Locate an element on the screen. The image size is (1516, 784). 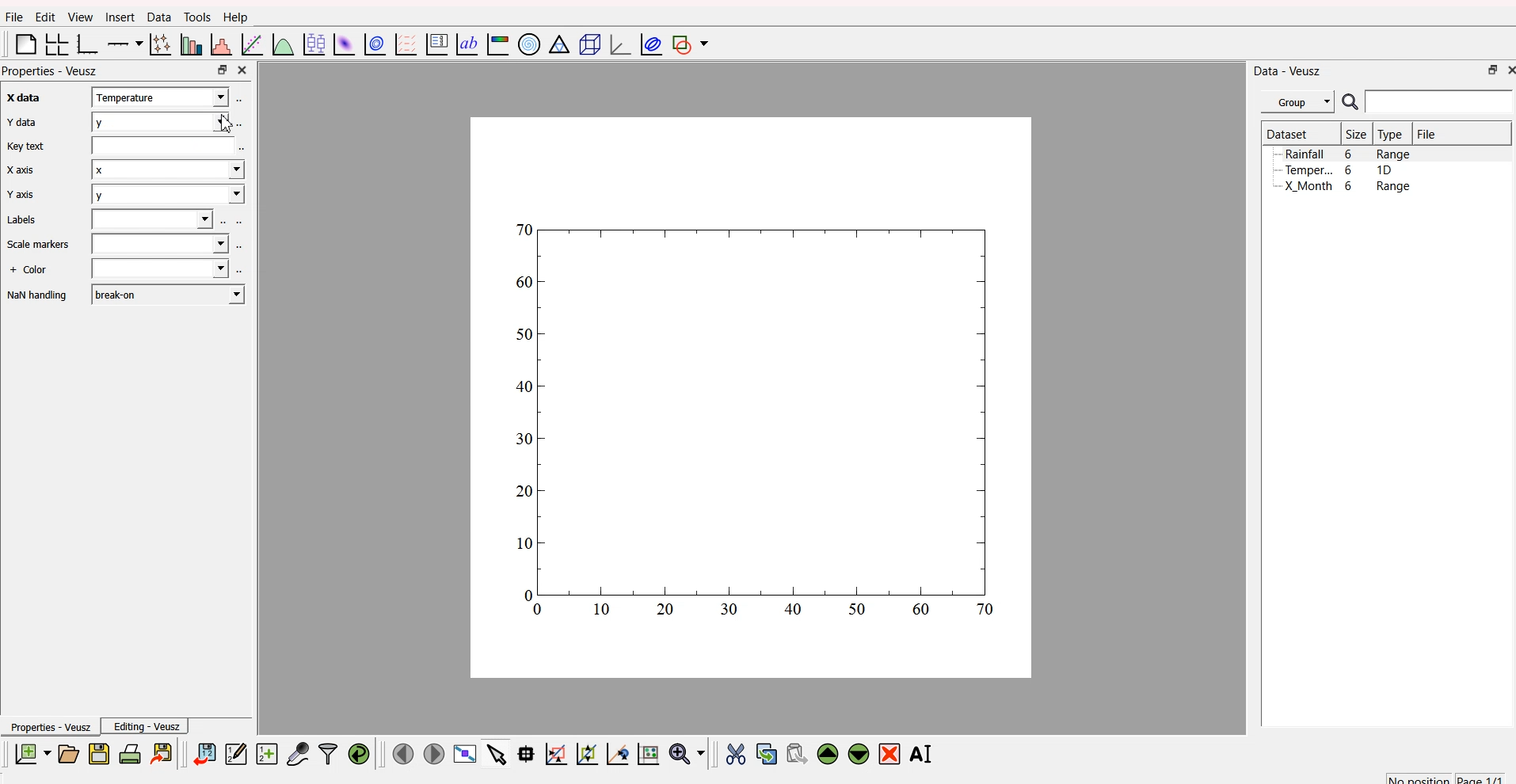
y is located at coordinates (166, 196).